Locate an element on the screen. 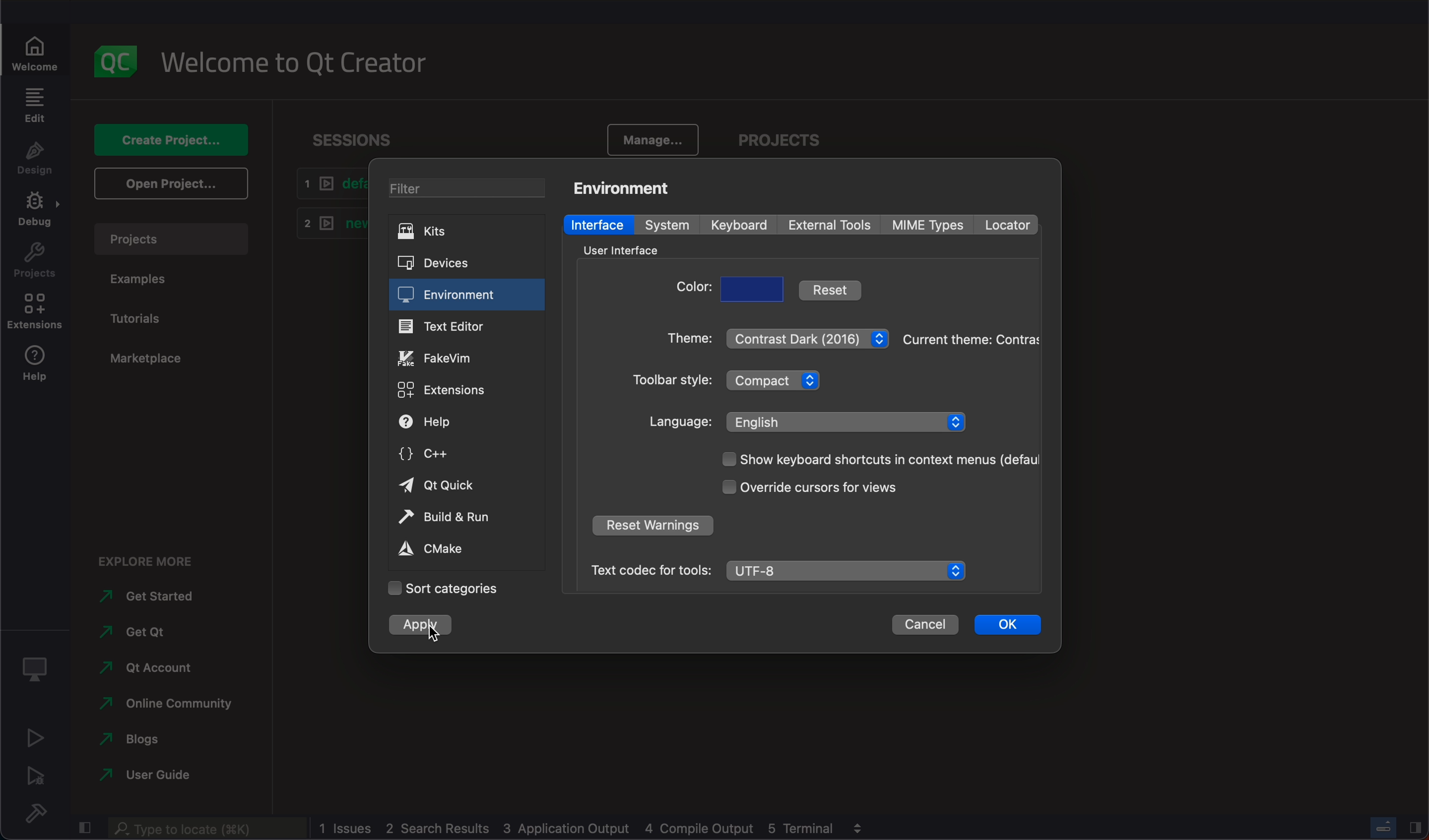 The height and width of the screenshot is (840, 1429). view output is located at coordinates (856, 828).